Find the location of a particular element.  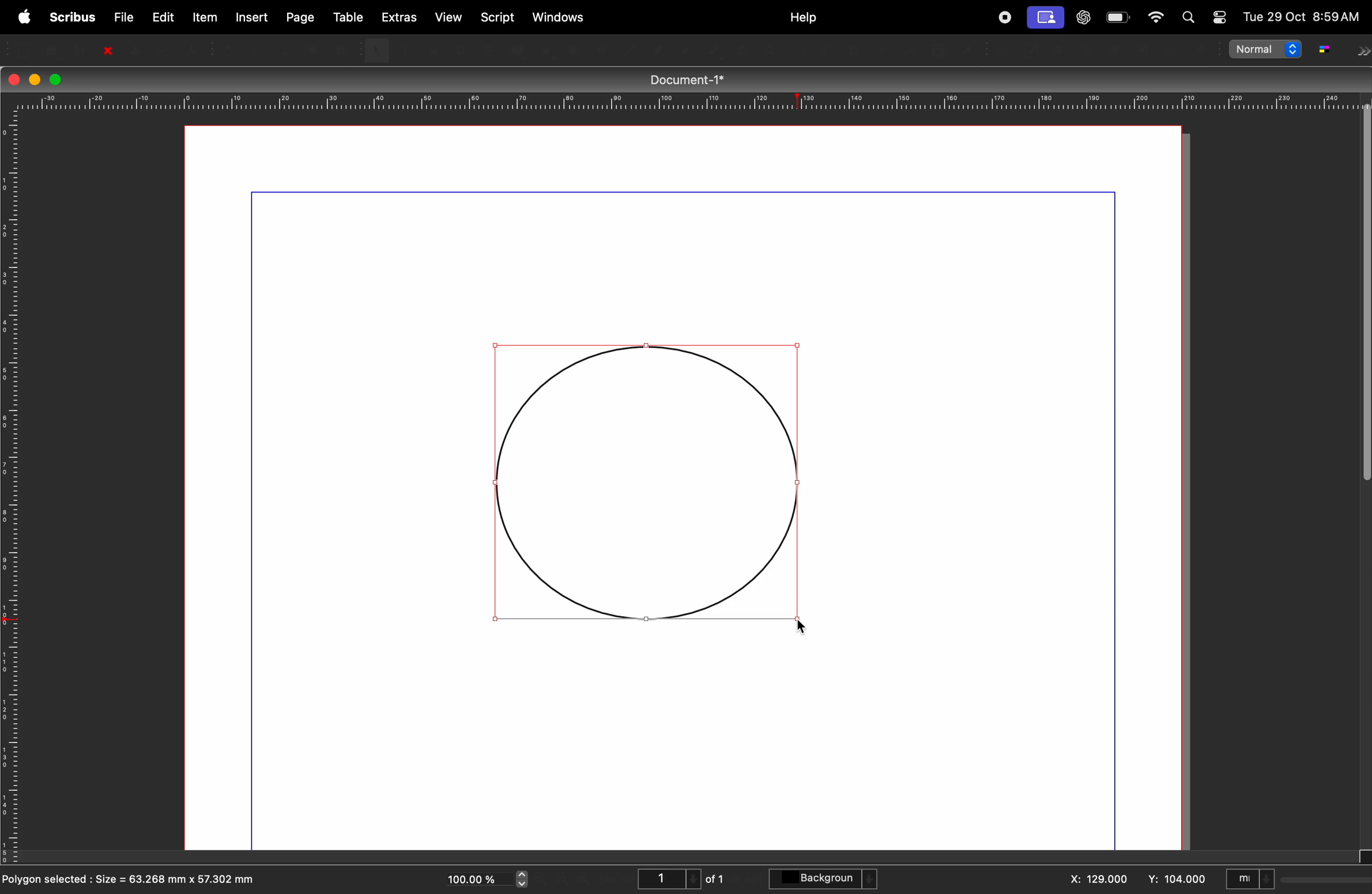

Document-1* is located at coordinates (694, 79).